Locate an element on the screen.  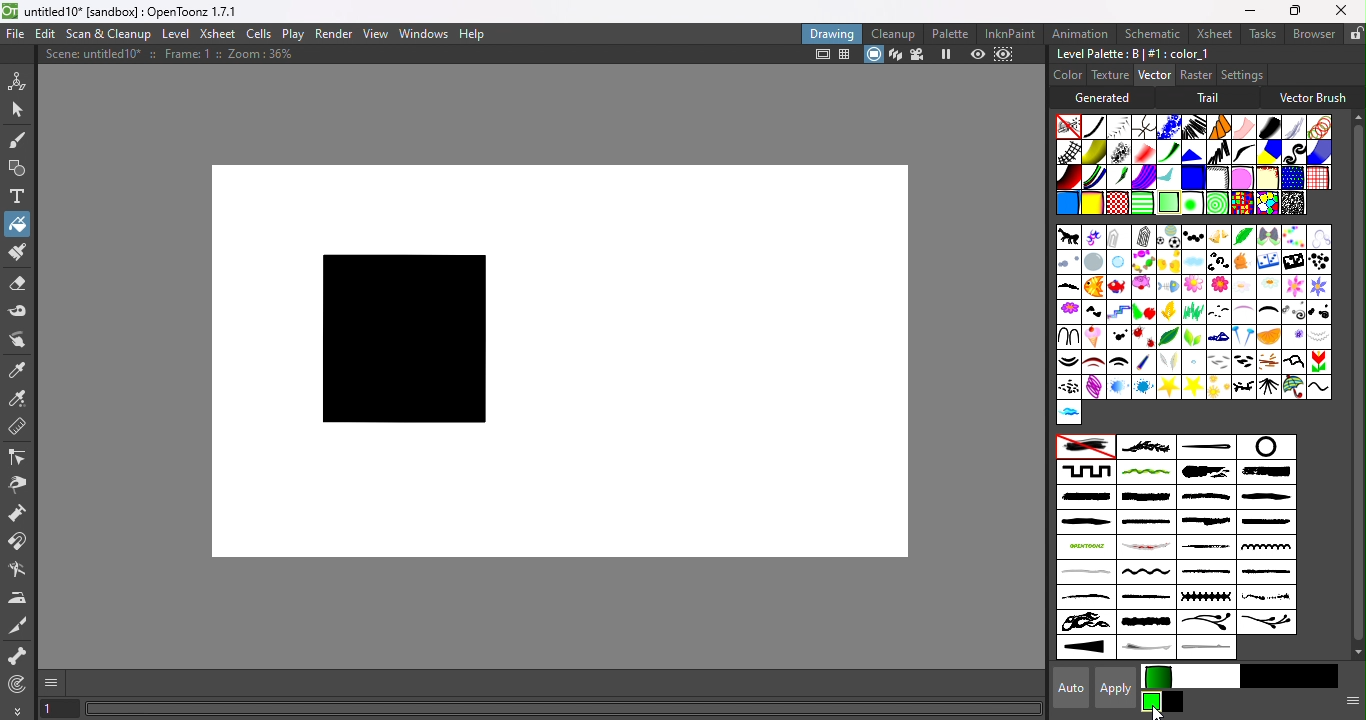
Sub-camera view is located at coordinates (1006, 54).